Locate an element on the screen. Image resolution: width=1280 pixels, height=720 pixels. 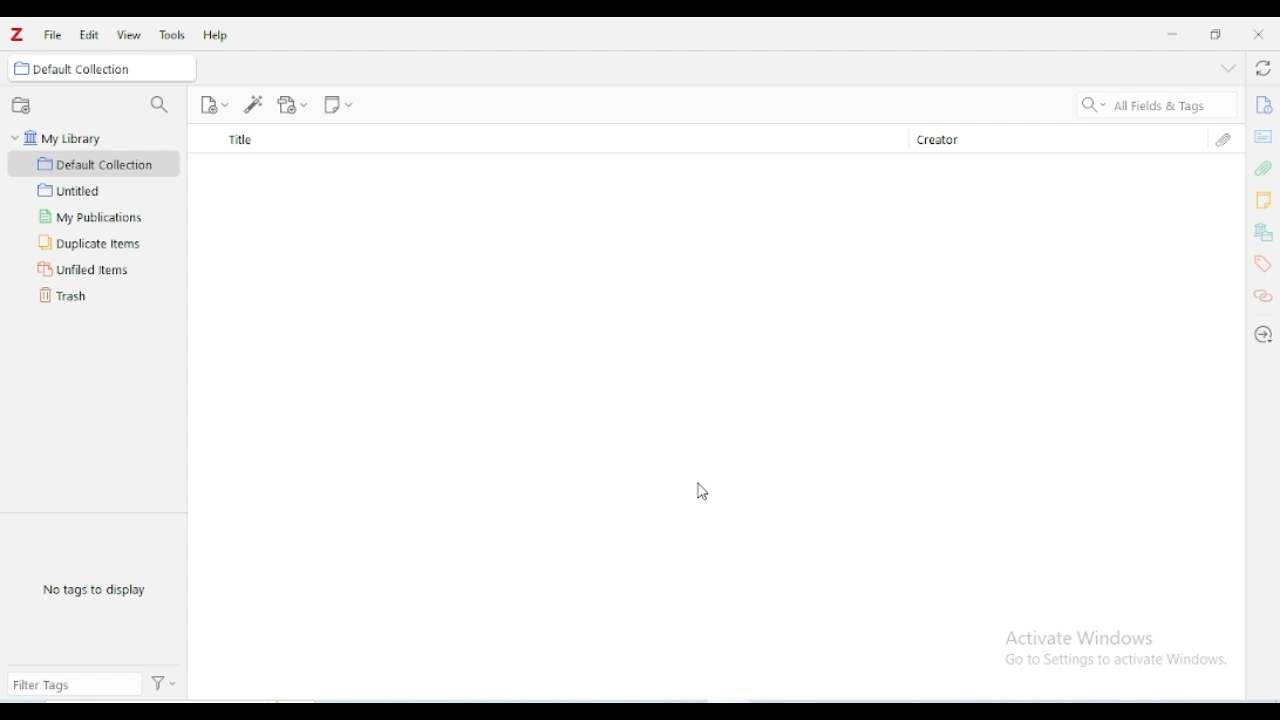
add item(s) by identifier is located at coordinates (254, 104).